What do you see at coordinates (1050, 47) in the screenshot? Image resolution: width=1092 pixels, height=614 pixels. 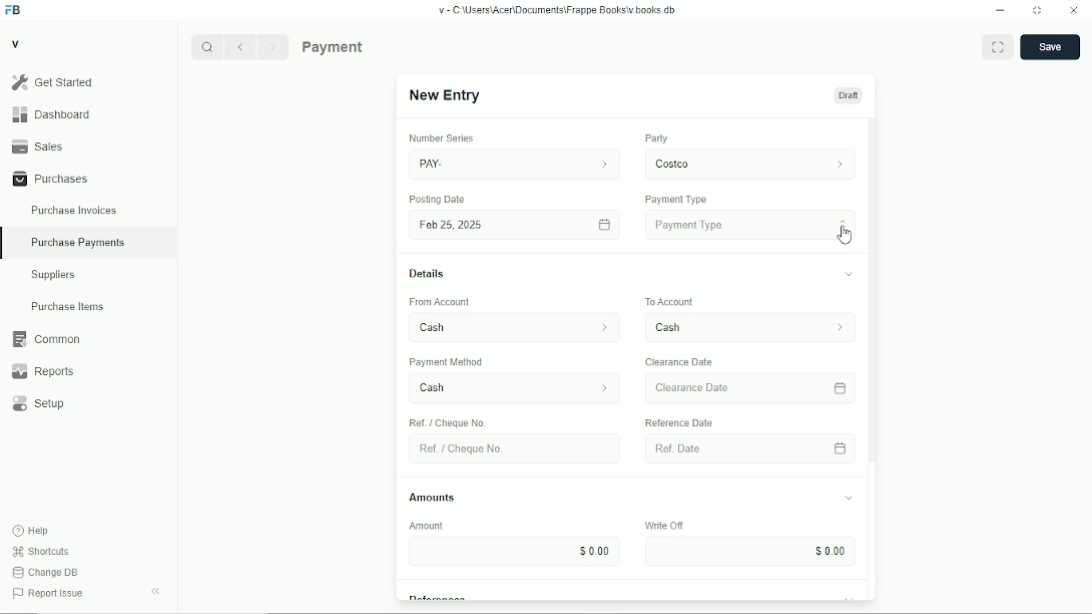 I see `save` at bounding box center [1050, 47].